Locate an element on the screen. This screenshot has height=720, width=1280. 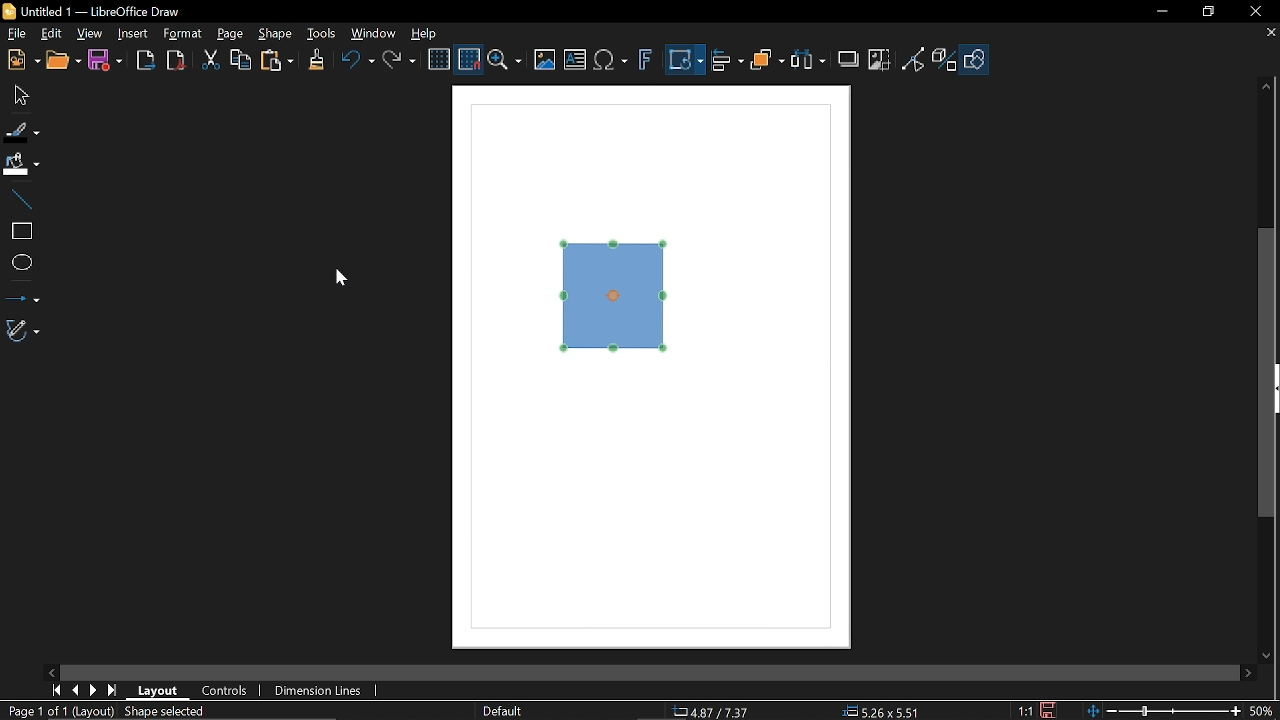
Diagram rotated is located at coordinates (618, 296).